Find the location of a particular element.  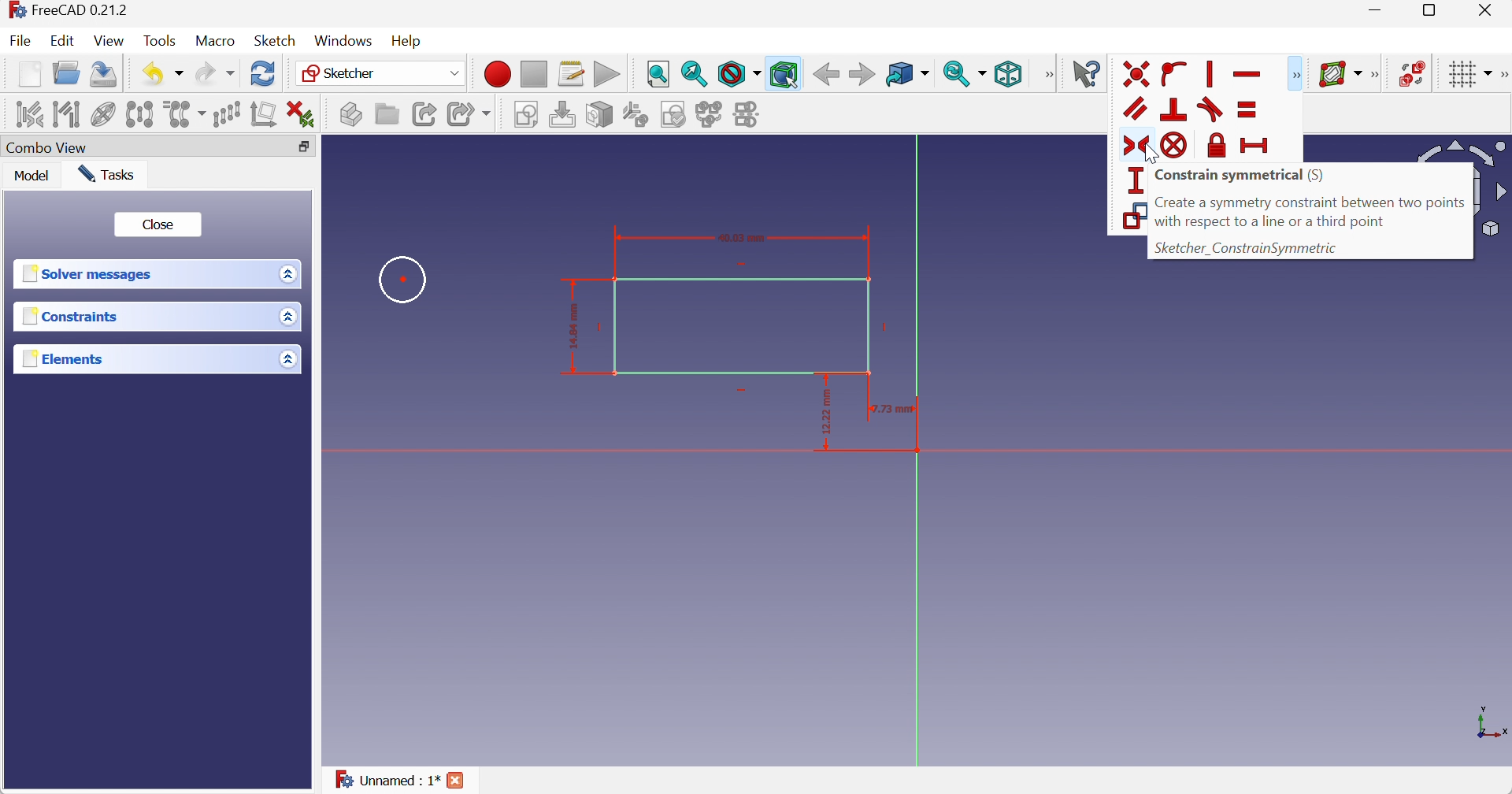

Constrain vertical distance is located at coordinates (1132, 180).